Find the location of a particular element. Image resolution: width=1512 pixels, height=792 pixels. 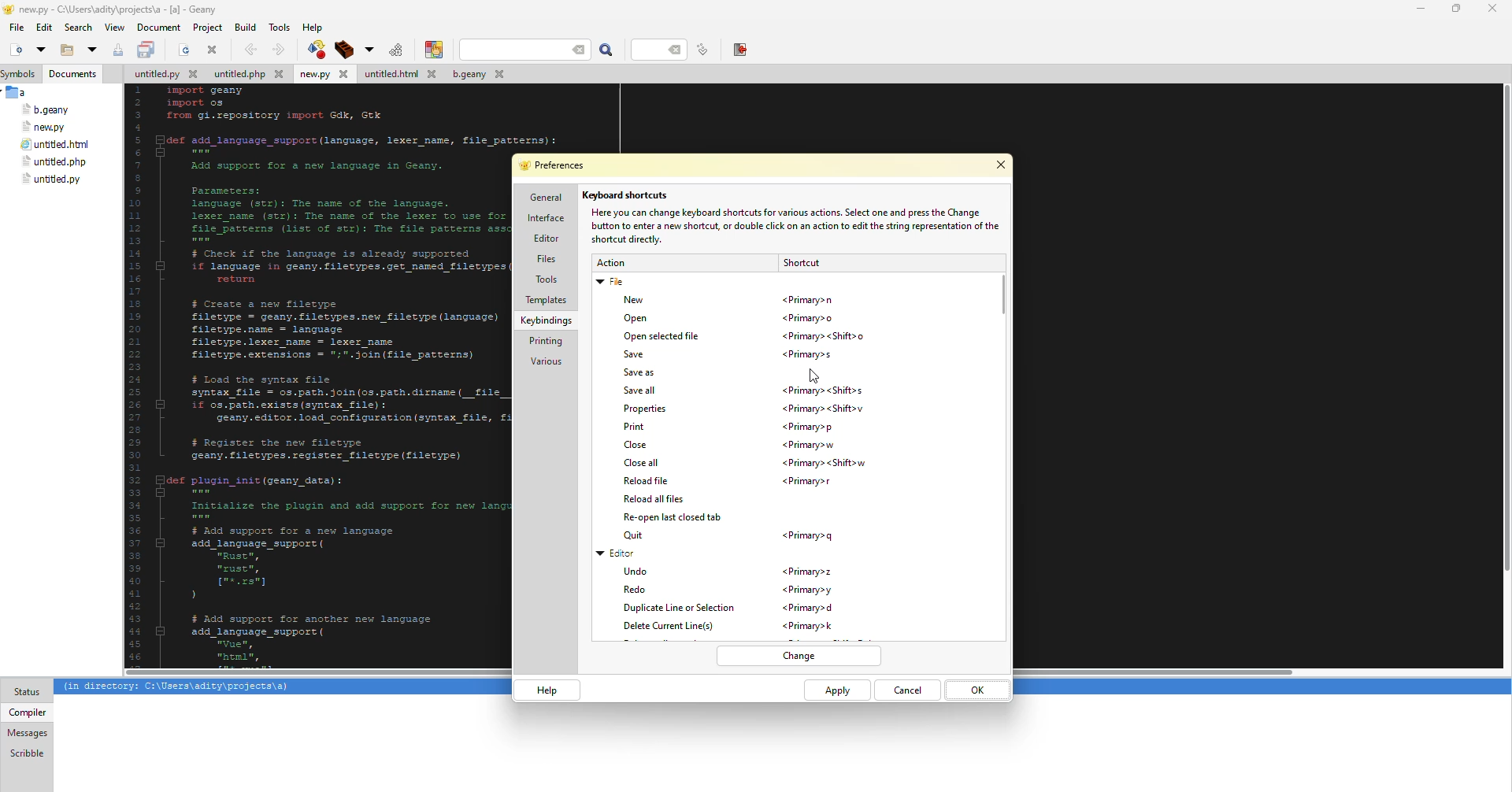

help is located at coordinates (313, 27).